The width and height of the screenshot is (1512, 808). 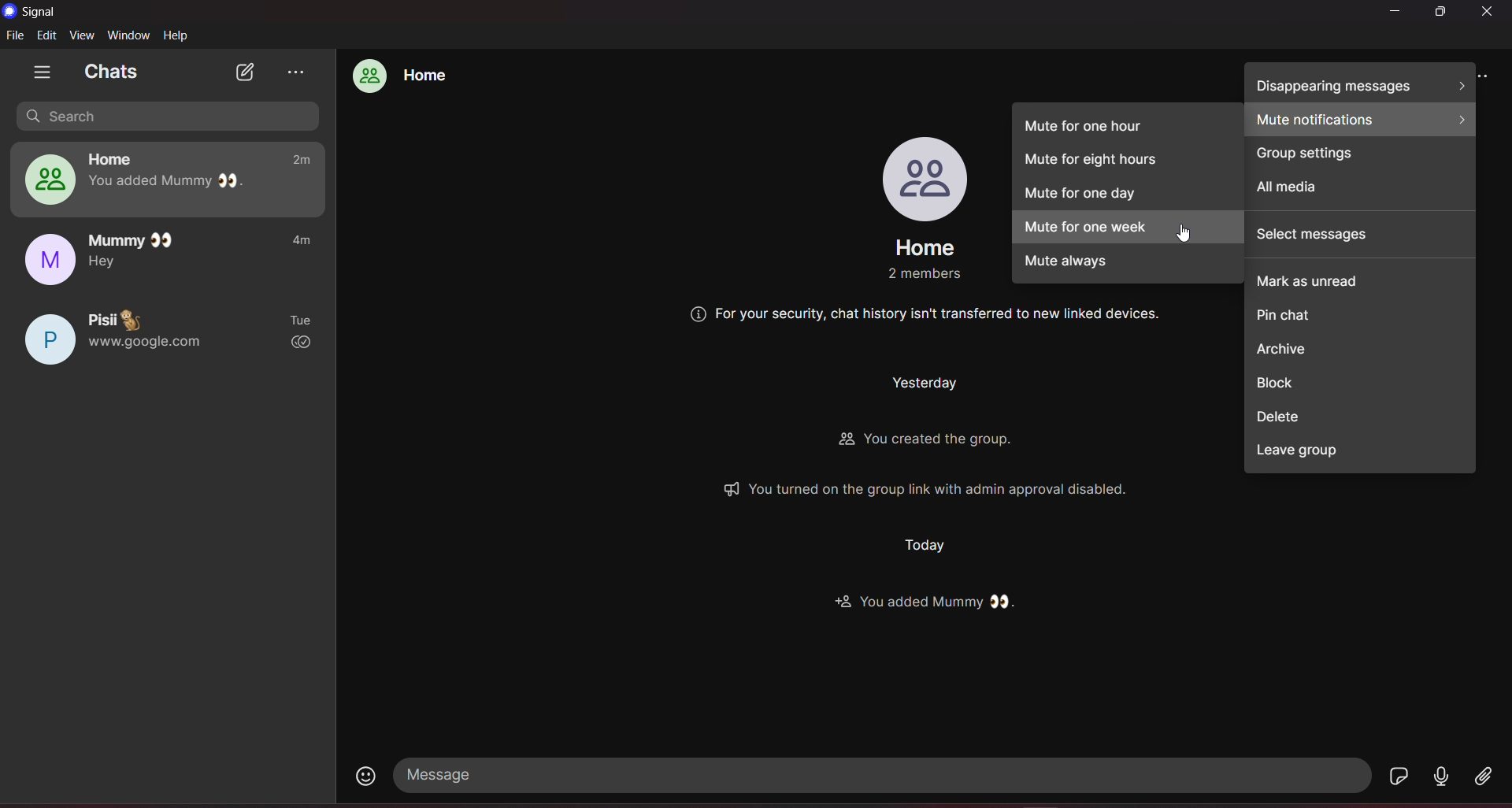 I want to click on , so click(x=928, y=276).